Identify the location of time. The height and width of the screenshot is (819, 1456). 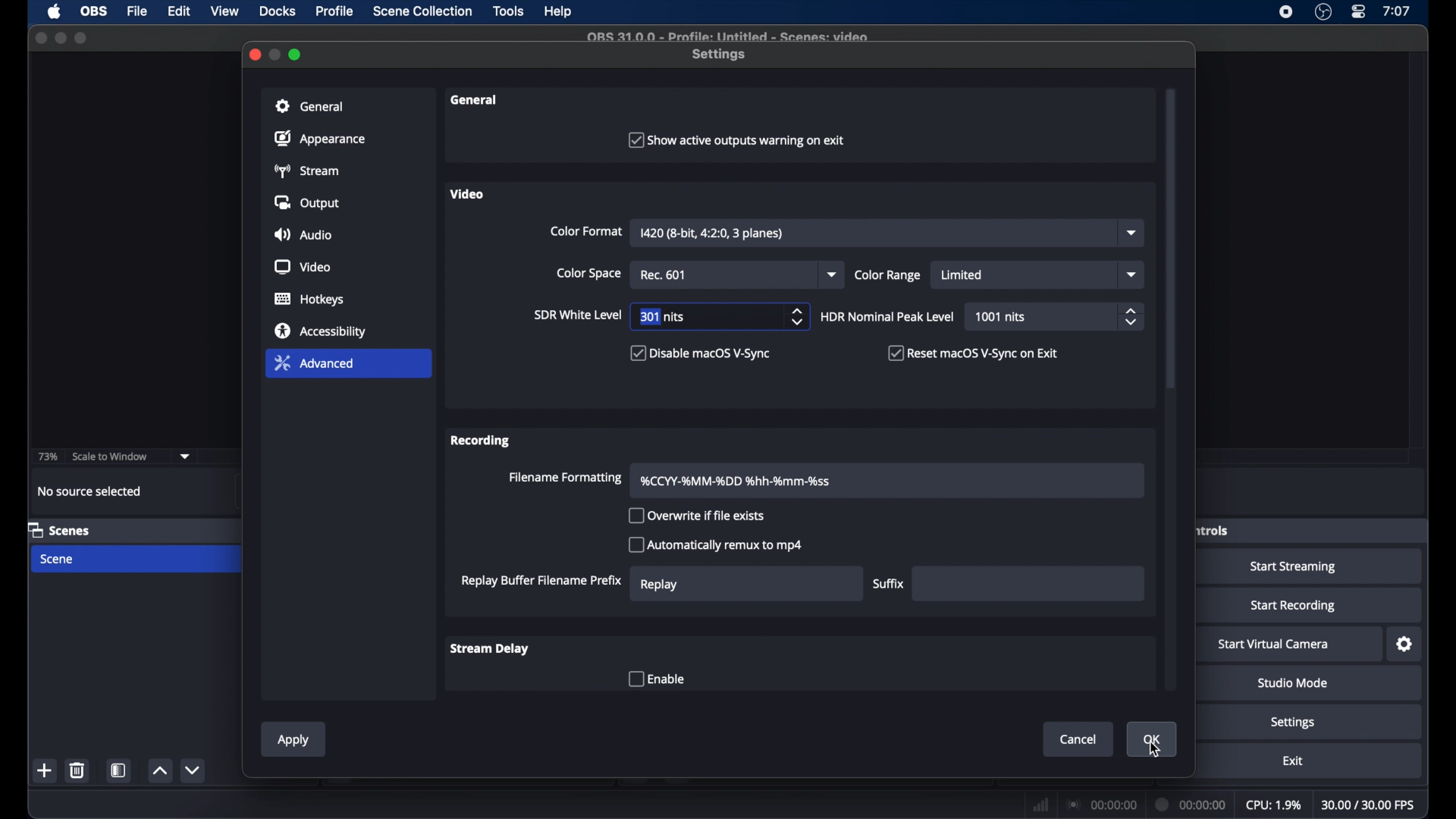
(1397, 11).